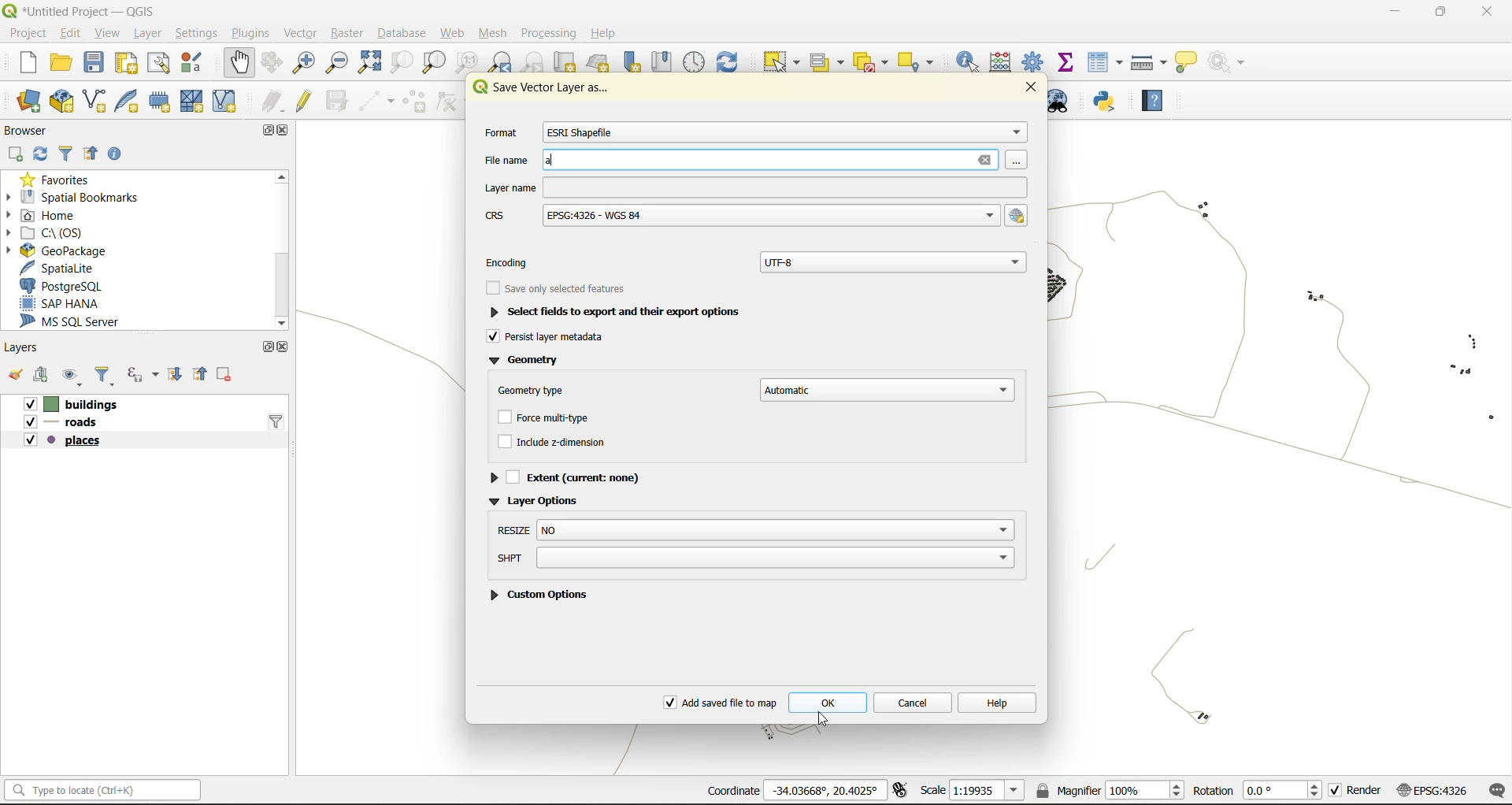 This screenshot has height=805, width=1512. What do you see at coordinates (43, 153) in the screenshot?
I see `refresh` at bounding box center [43, 153].